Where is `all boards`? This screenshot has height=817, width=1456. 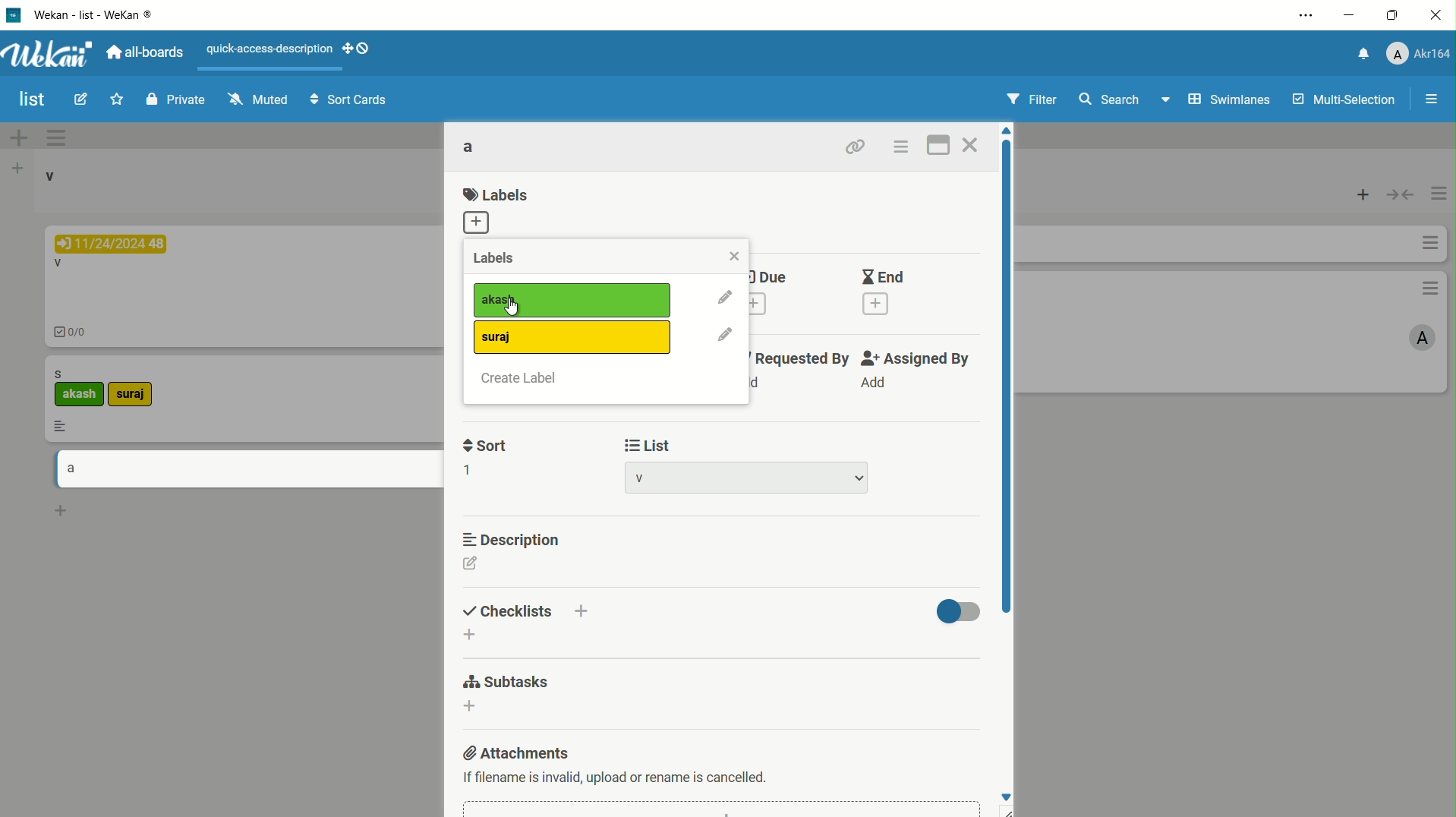
all boards is located at coordinates (148, 51).